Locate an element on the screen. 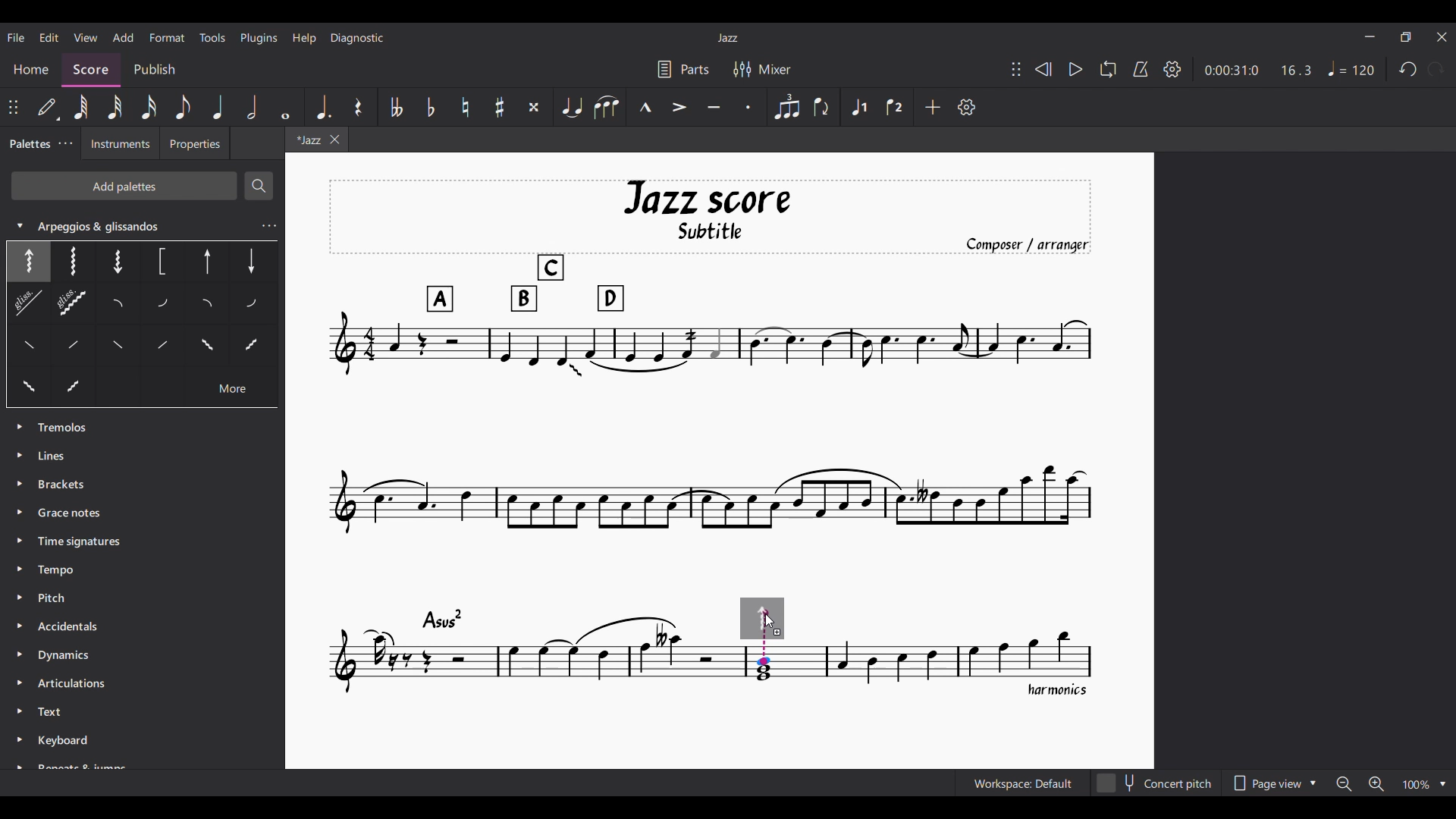  Tempo is located at coordinates (1351, 68).